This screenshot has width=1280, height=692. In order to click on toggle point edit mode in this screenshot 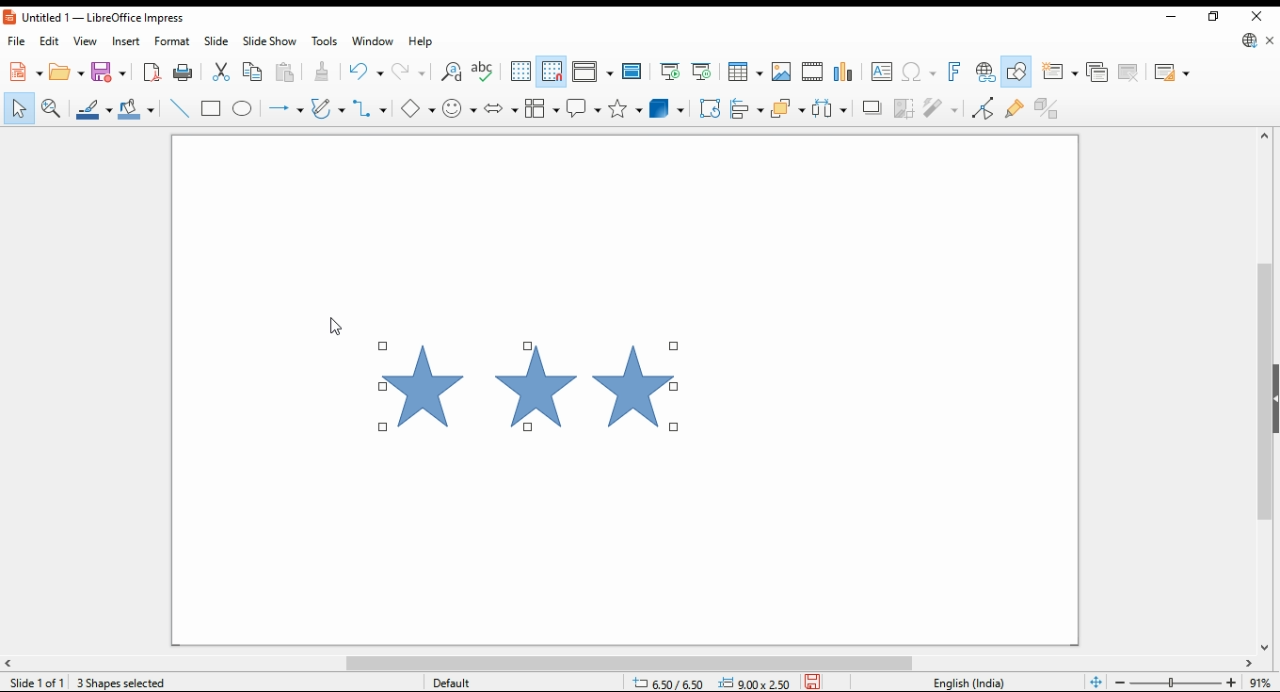, I will do `click(982, 107)`.